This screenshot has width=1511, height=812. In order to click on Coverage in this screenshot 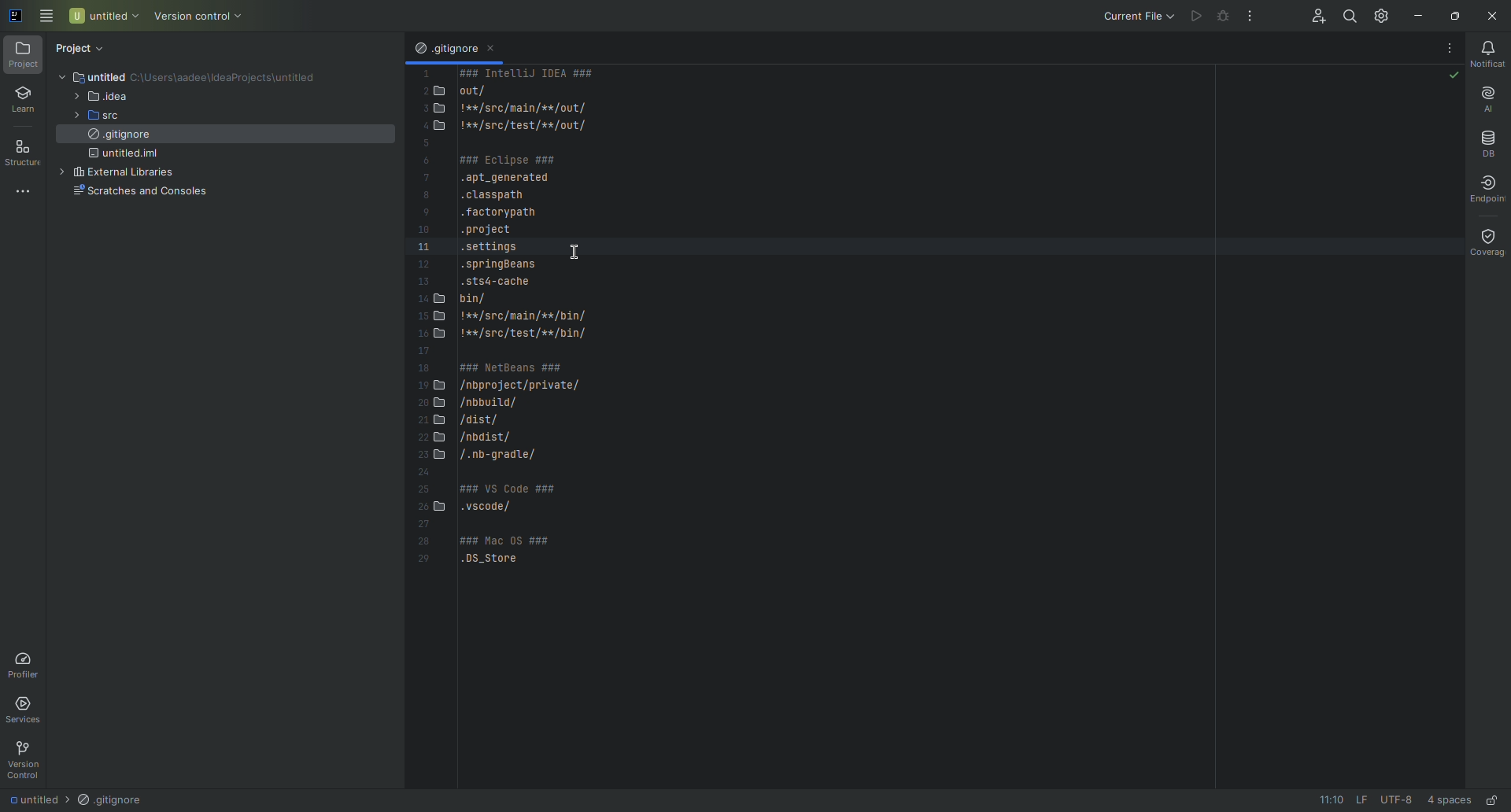, I will do `click(1482, 241)`.